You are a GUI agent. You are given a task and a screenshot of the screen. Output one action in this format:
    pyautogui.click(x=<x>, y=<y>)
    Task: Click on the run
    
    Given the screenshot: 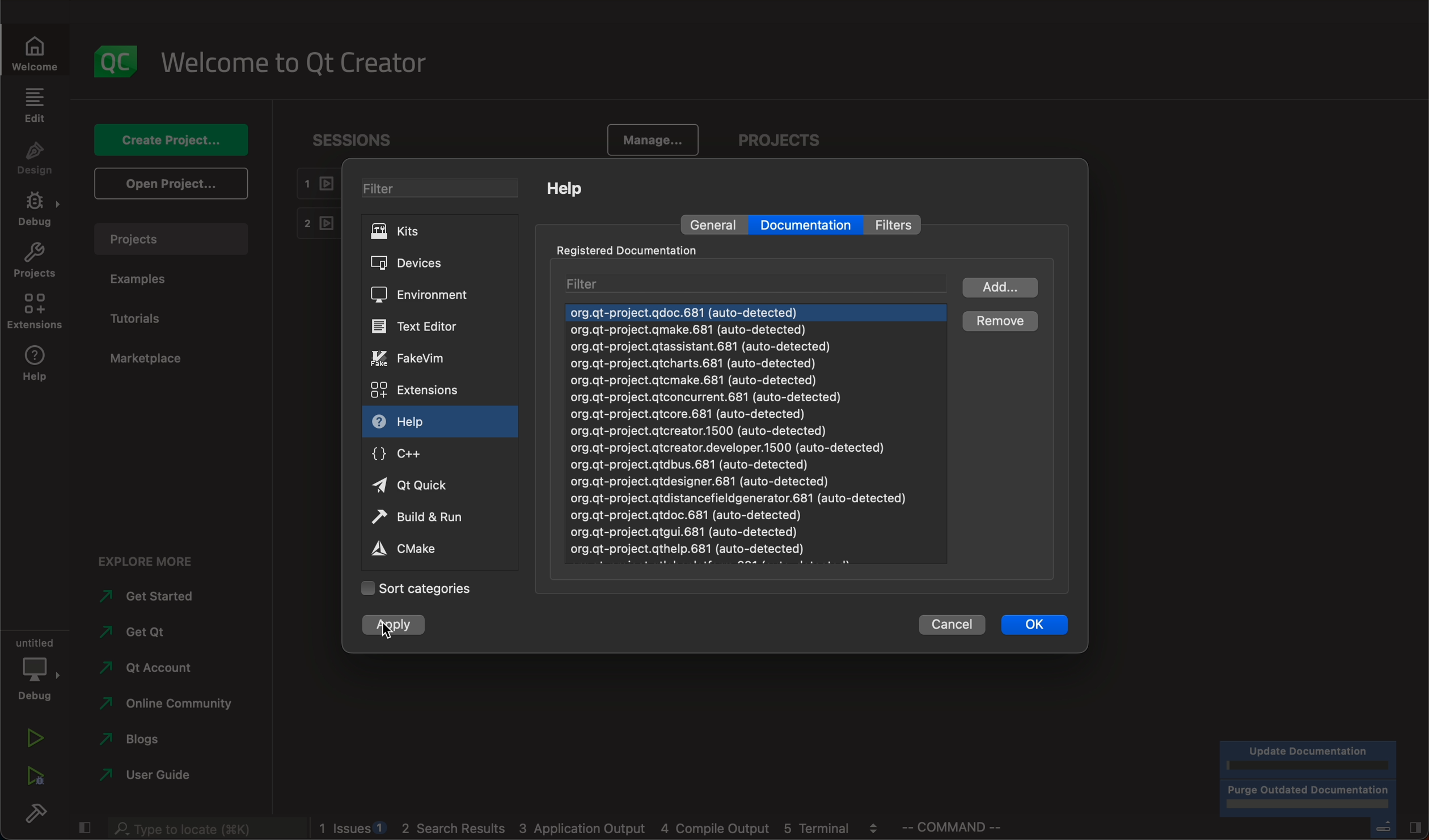 What is the action you would take?
    pyautogui.click(x=35, y=737)
    